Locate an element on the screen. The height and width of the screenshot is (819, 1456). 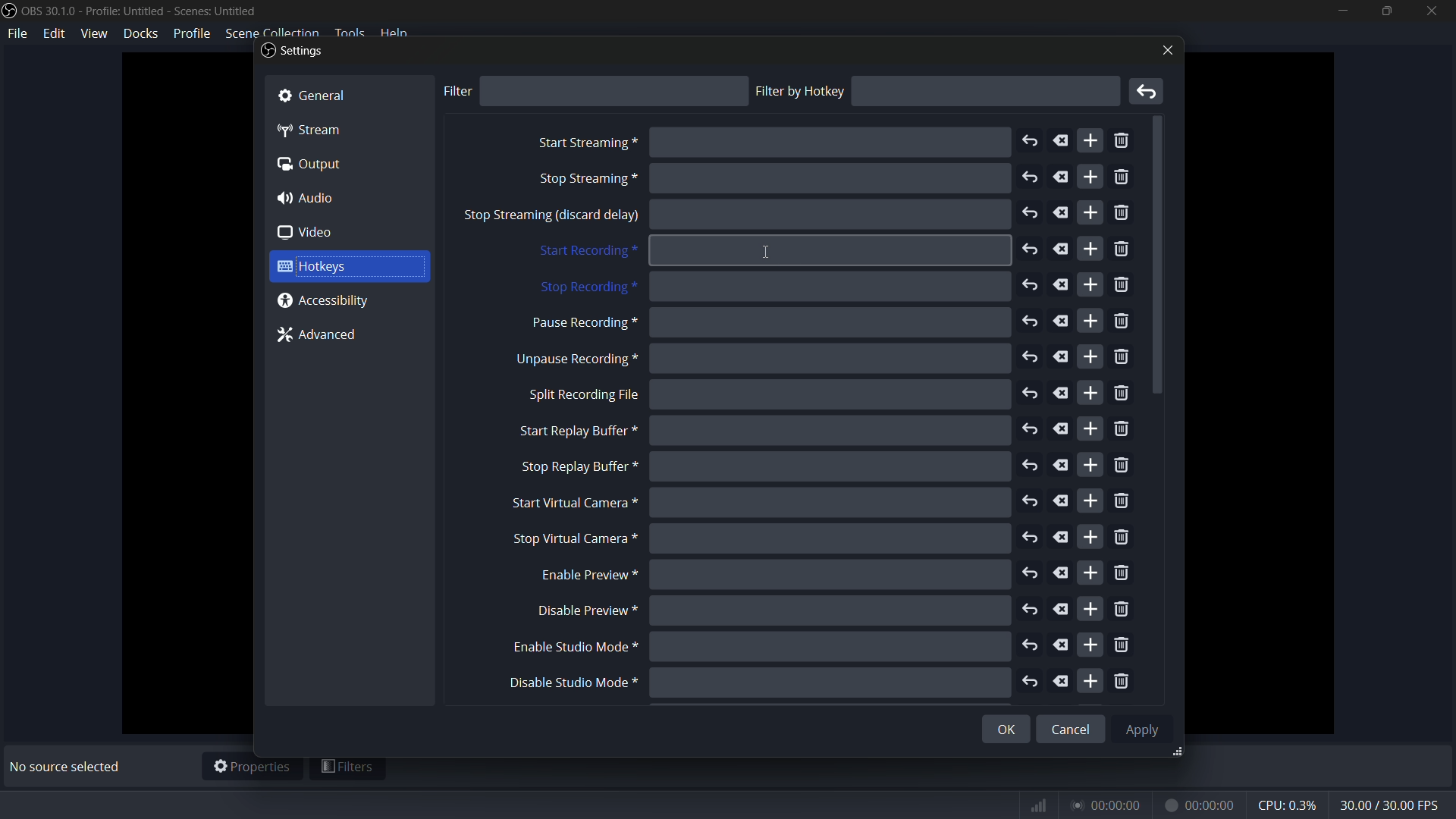
remove is located at coordinates (1122, 430).